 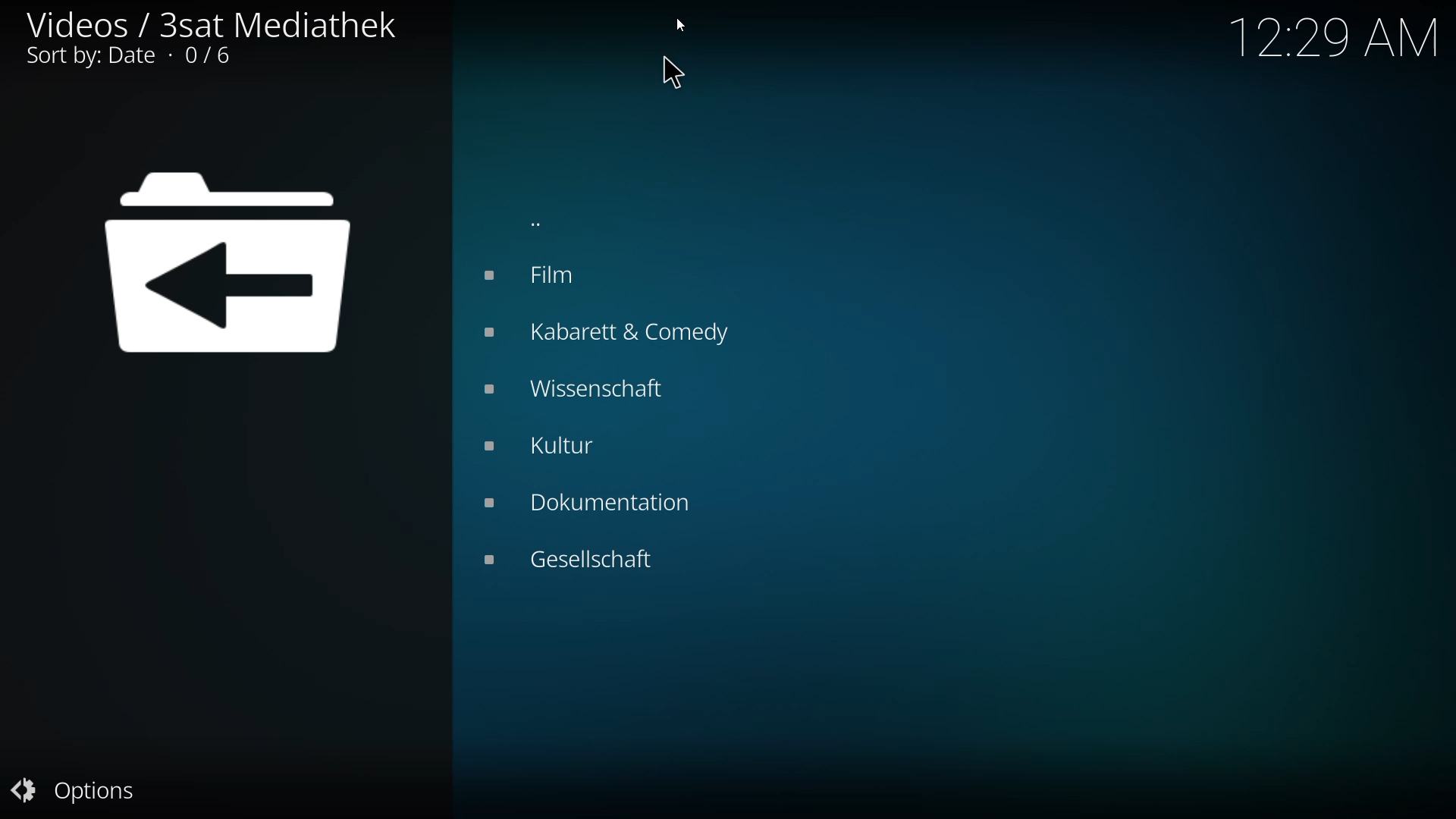 What do you see at coordinates (77, 790) in the screenshot?
I see `options` at bounding box center [77, 790].